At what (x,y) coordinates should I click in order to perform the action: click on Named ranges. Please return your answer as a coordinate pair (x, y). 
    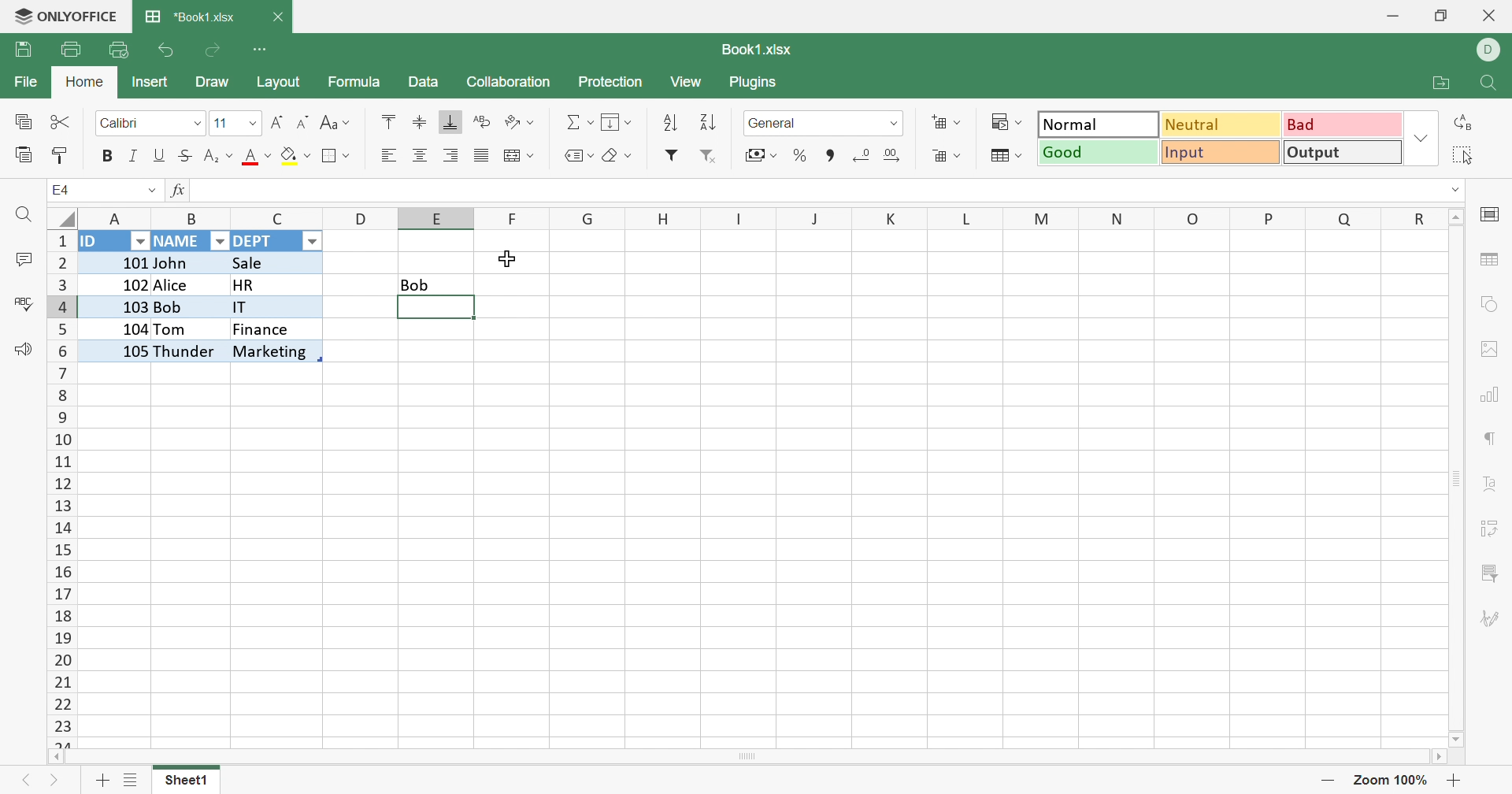
    Looking at the image, I should click on (576, 156).